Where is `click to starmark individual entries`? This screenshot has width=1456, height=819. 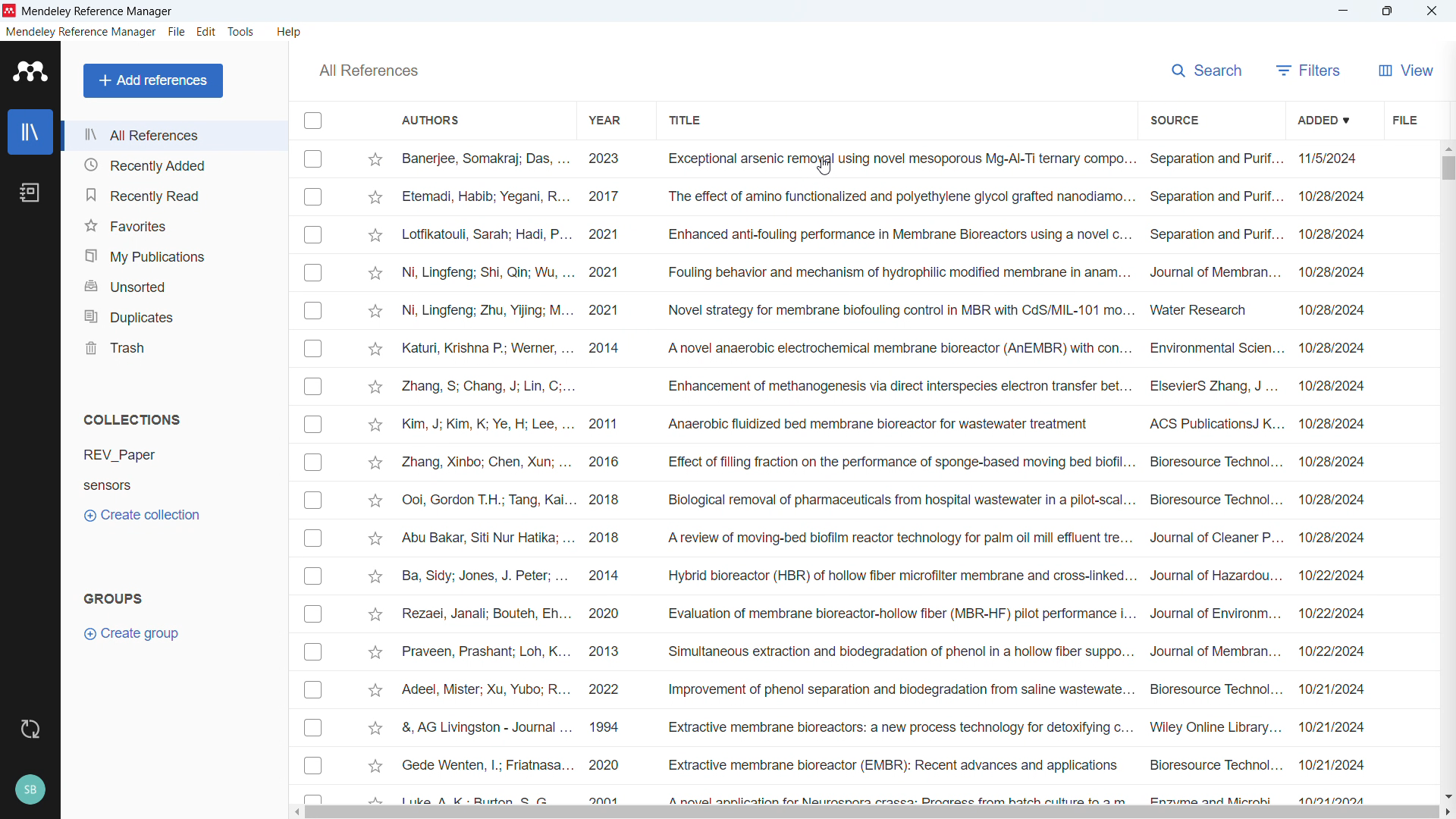
click to starmark individual entries is located at coordinates (375, 613).